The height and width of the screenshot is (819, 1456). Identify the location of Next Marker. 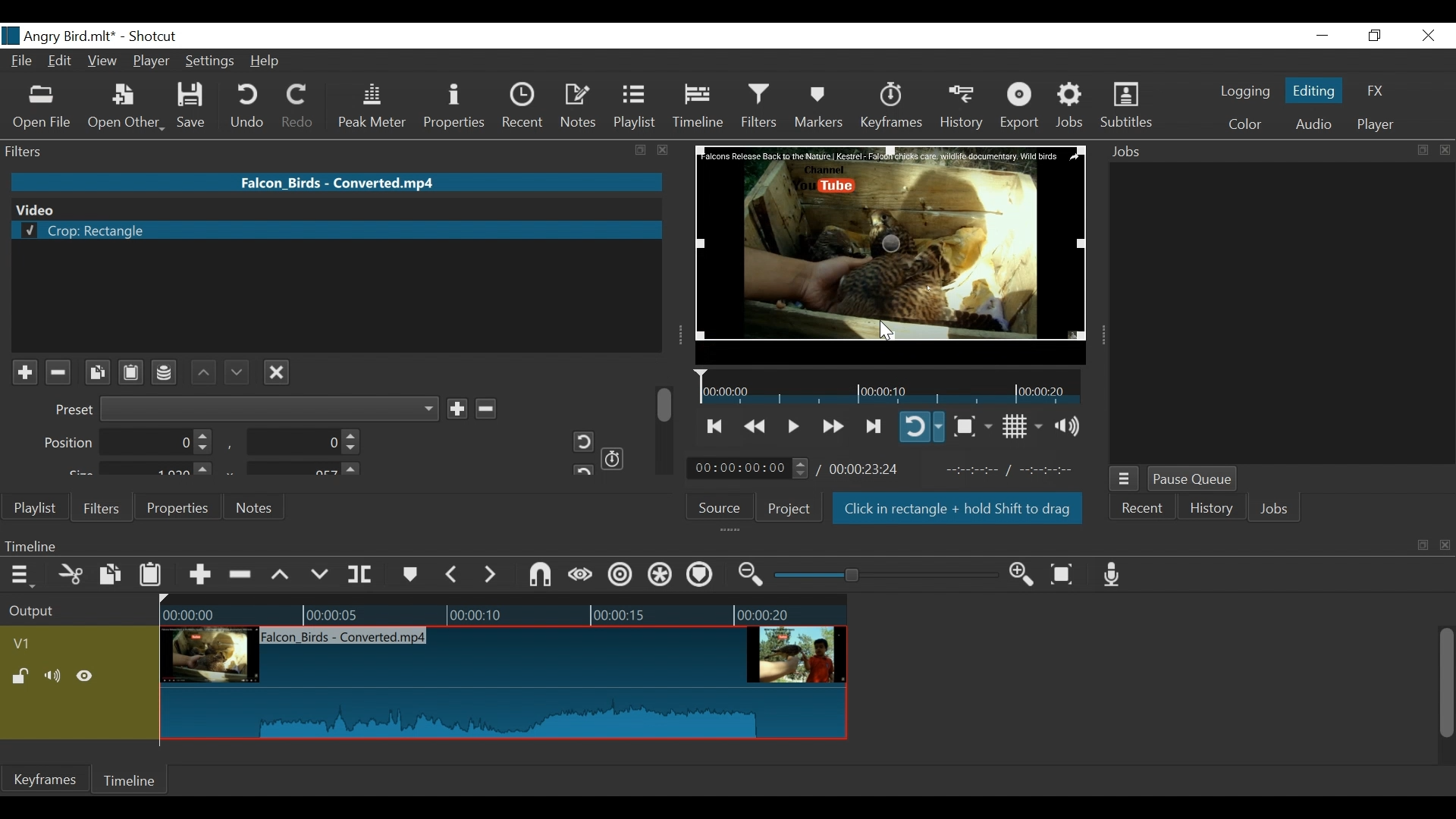
(492, 574).